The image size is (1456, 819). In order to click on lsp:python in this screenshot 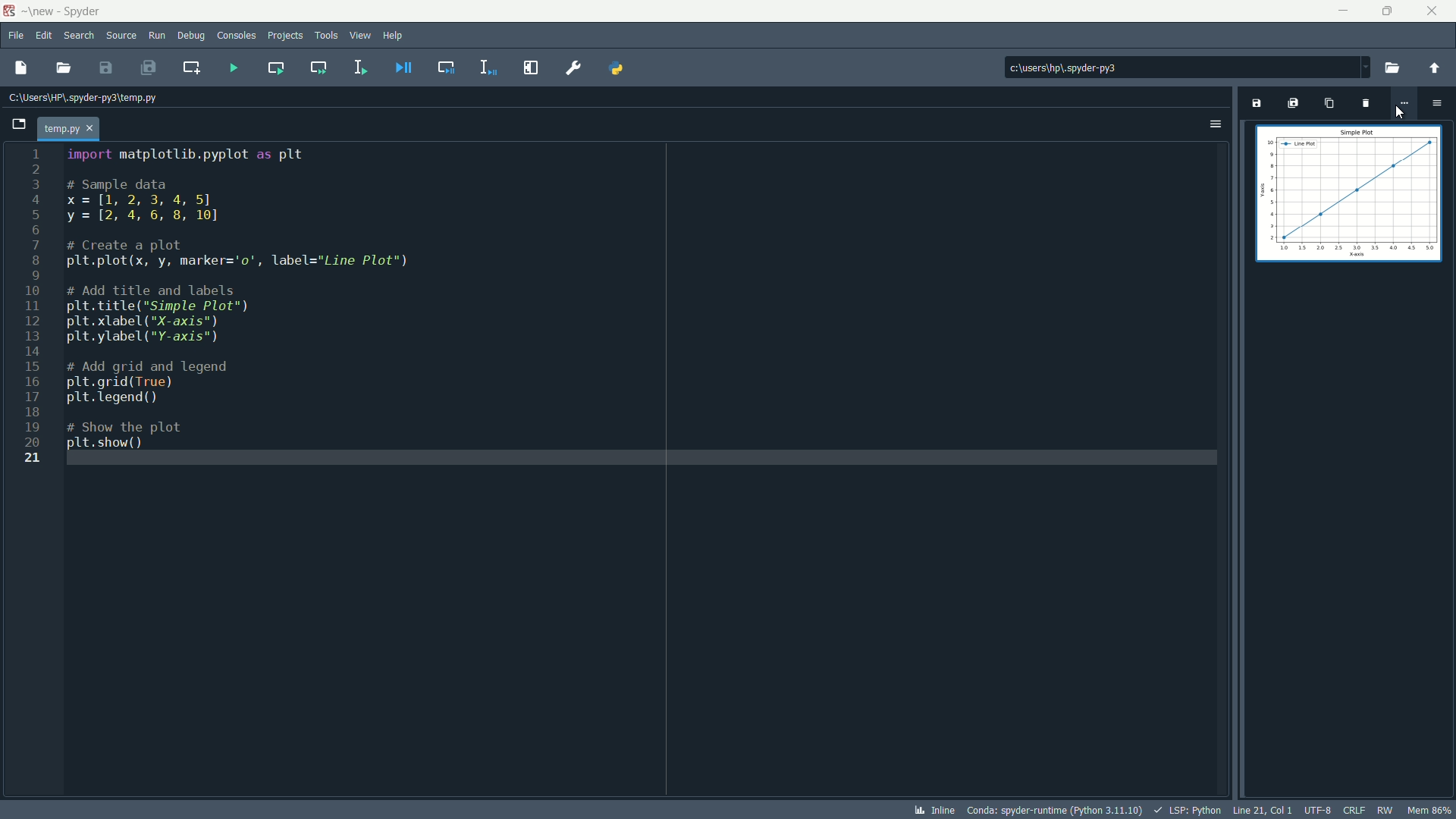, I will do `click(1190, 810)`.